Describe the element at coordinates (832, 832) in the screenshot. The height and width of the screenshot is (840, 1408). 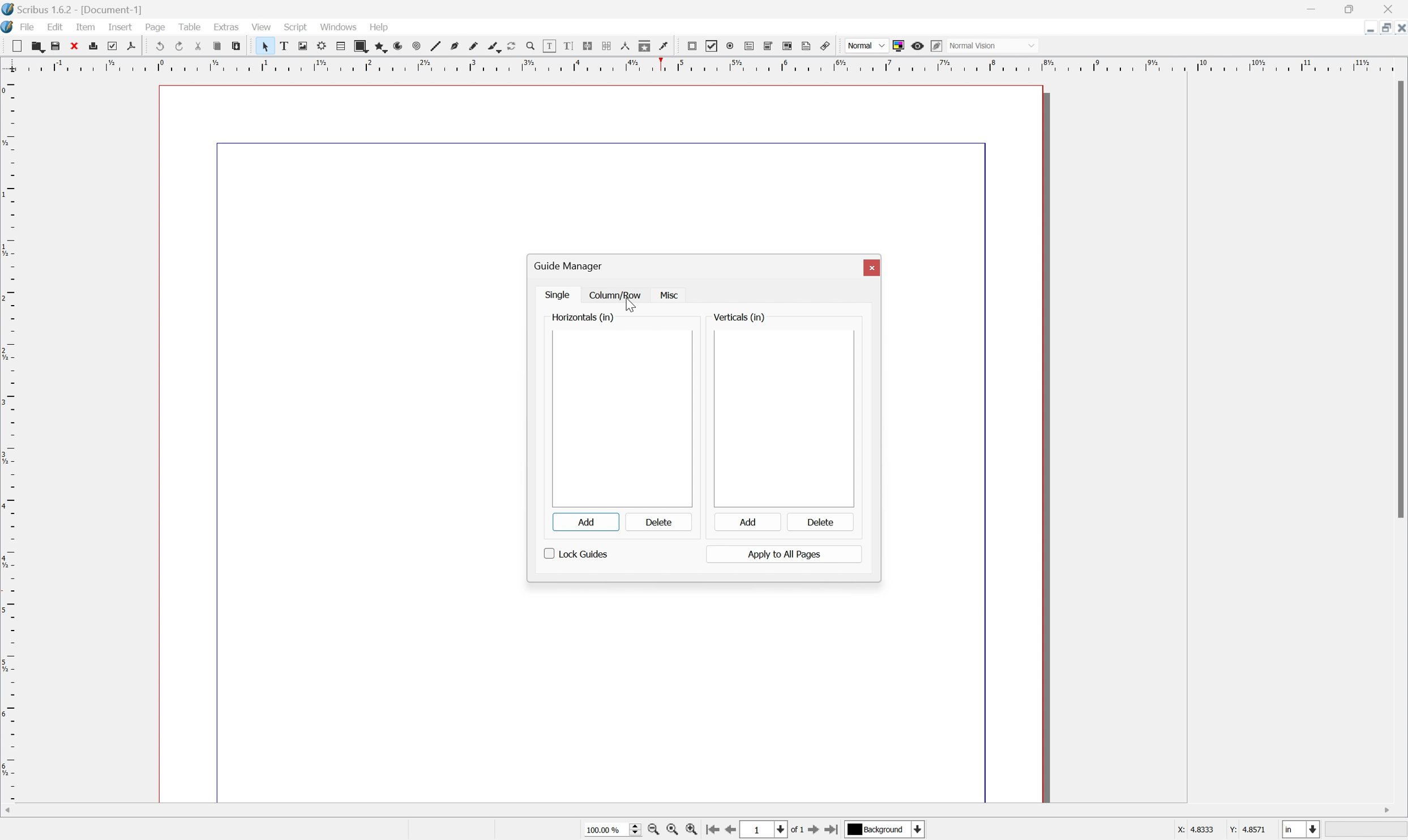
I see `go to last` at that location.